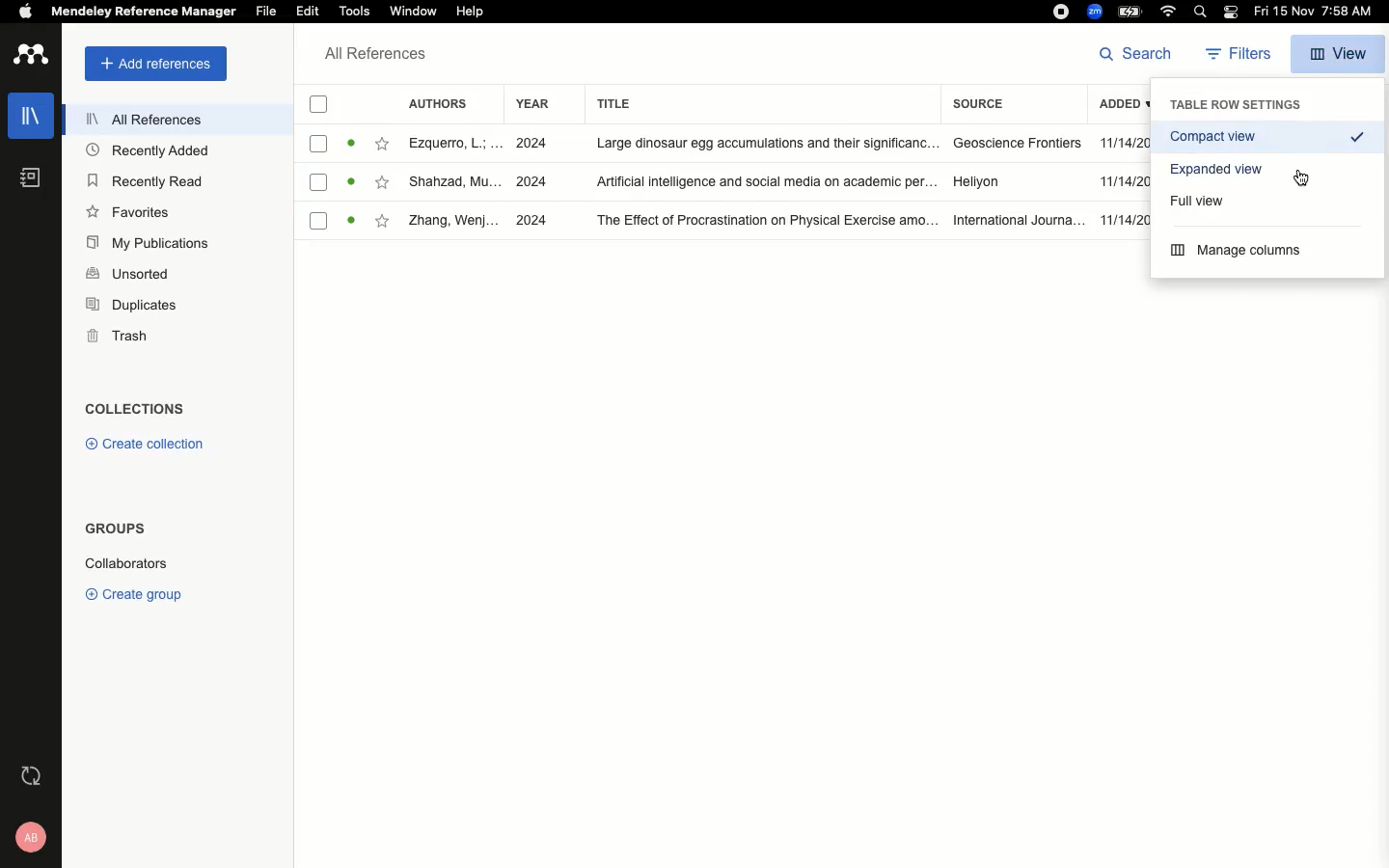 This screenshot has height=868, width=1389. Describe the element at coordinates (1093, 12) in the screenshot. I see `Zoom` at that location.